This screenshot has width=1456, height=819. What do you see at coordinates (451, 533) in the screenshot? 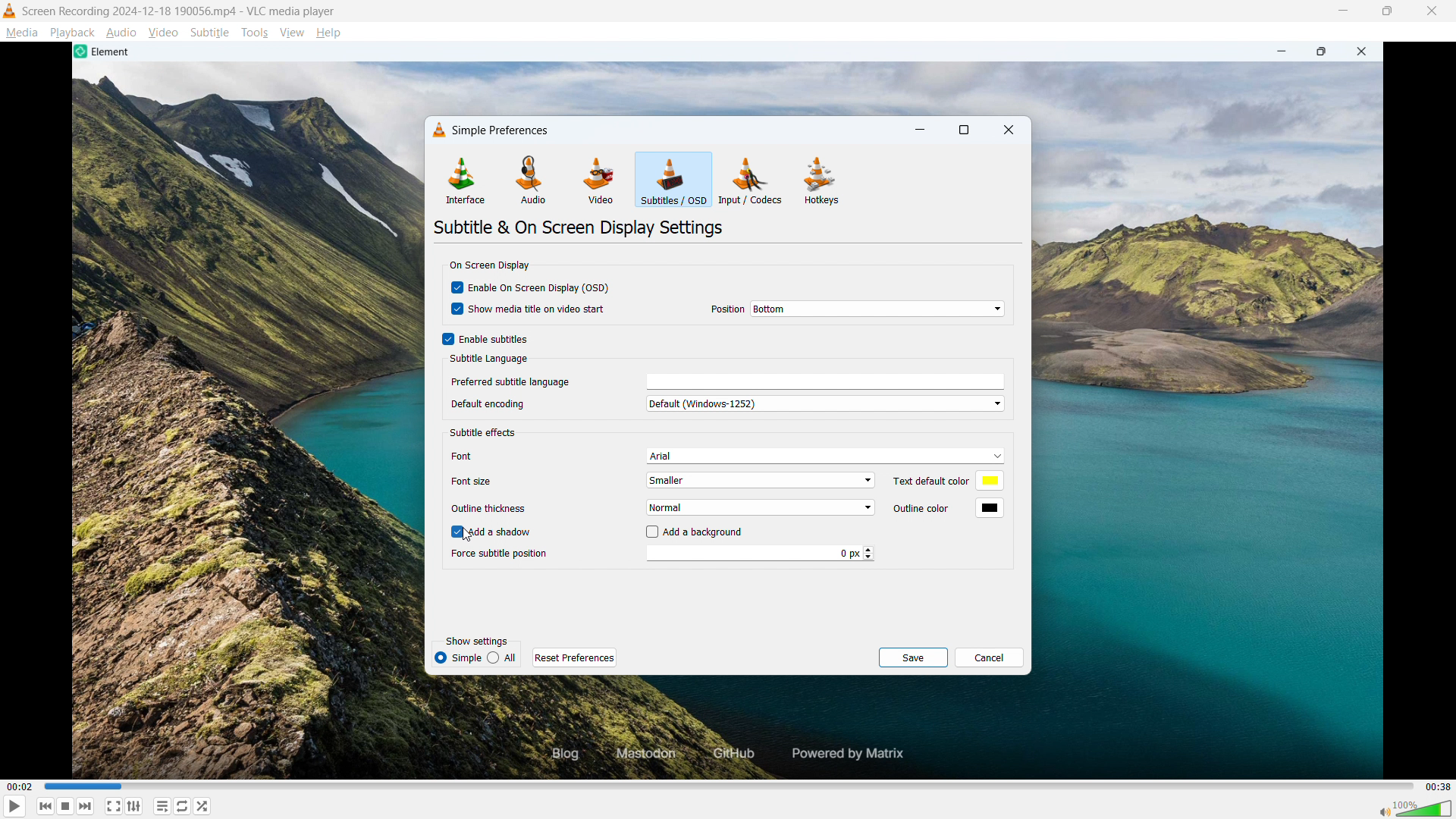
I see `checkbox` at bounding box center [451, 533].